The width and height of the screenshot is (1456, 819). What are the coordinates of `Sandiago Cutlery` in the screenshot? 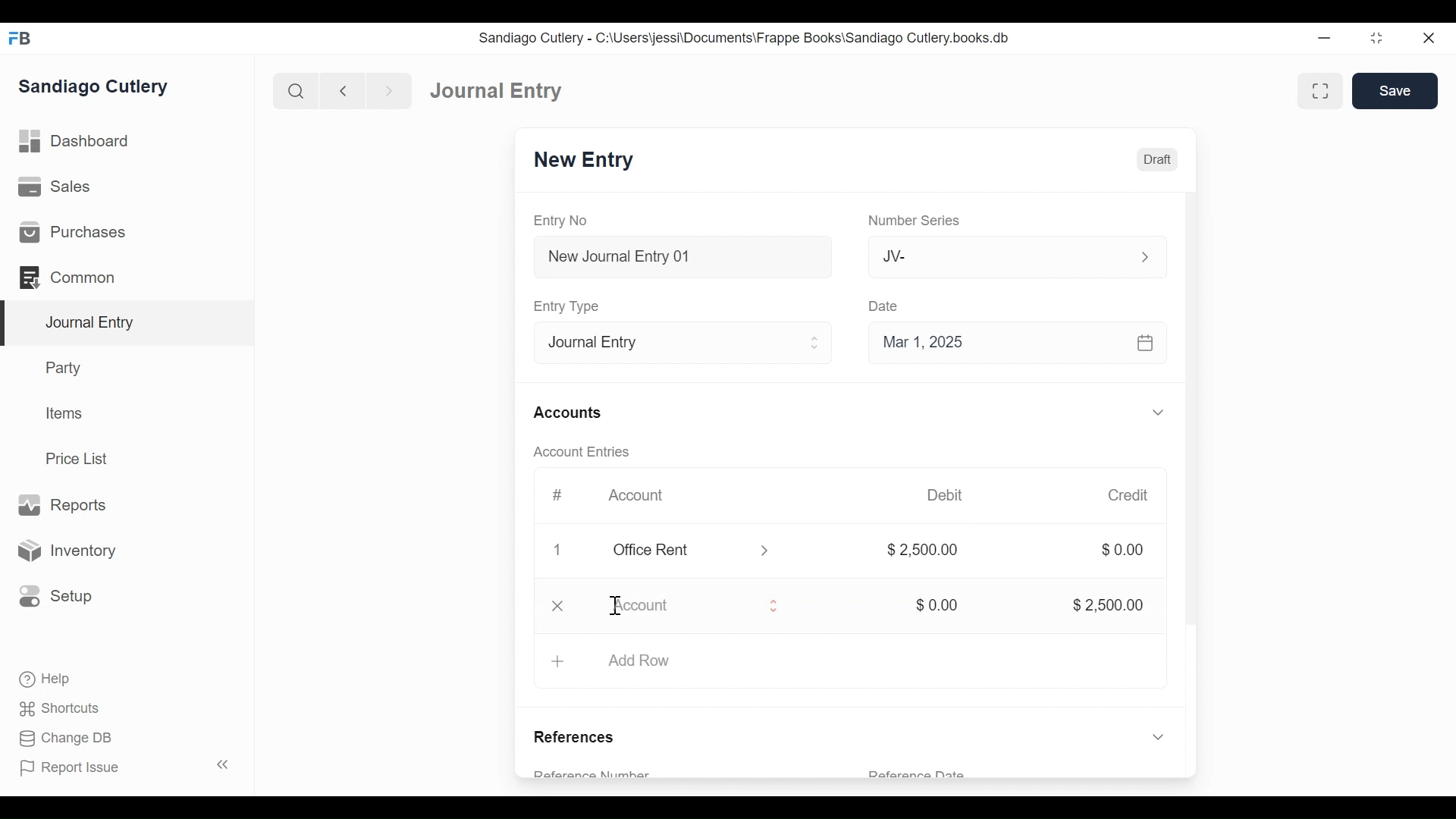 It's located at (102, 88).